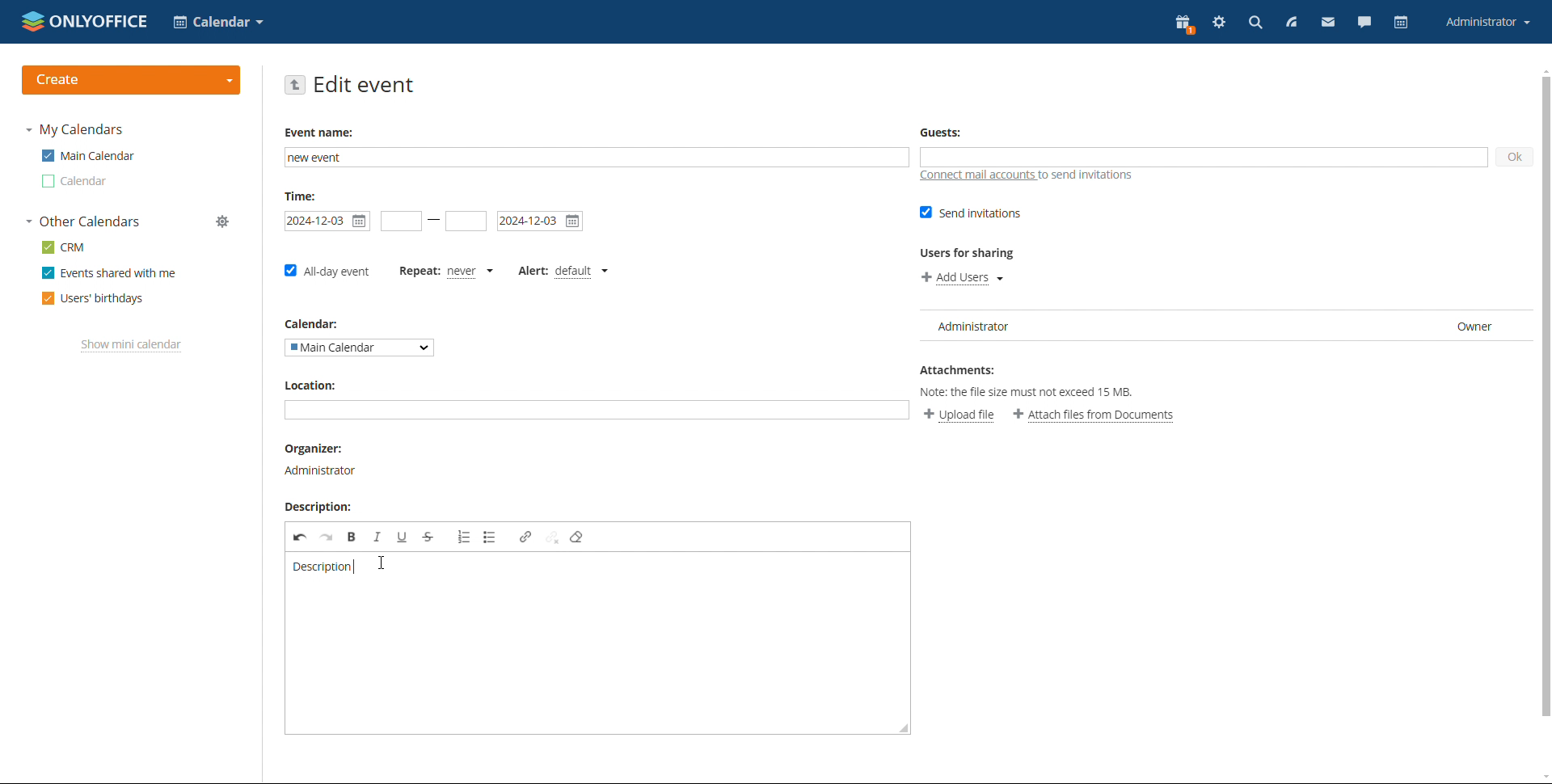 The width and height of the screenshot is (1552, 784). What do you see at coordinates (75, 130) in the screenshot?
I see `my calendars` at bounding box center [75, 130].